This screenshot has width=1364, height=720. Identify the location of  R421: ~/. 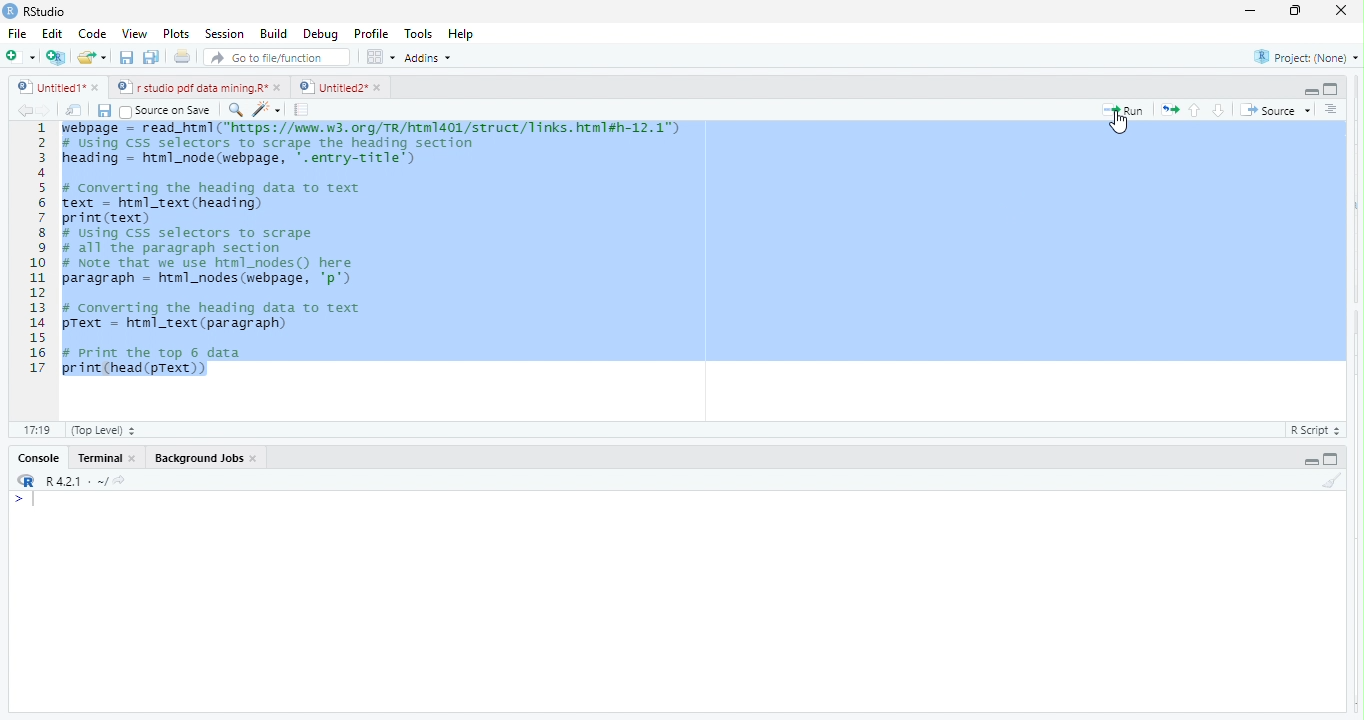
(90, 481).